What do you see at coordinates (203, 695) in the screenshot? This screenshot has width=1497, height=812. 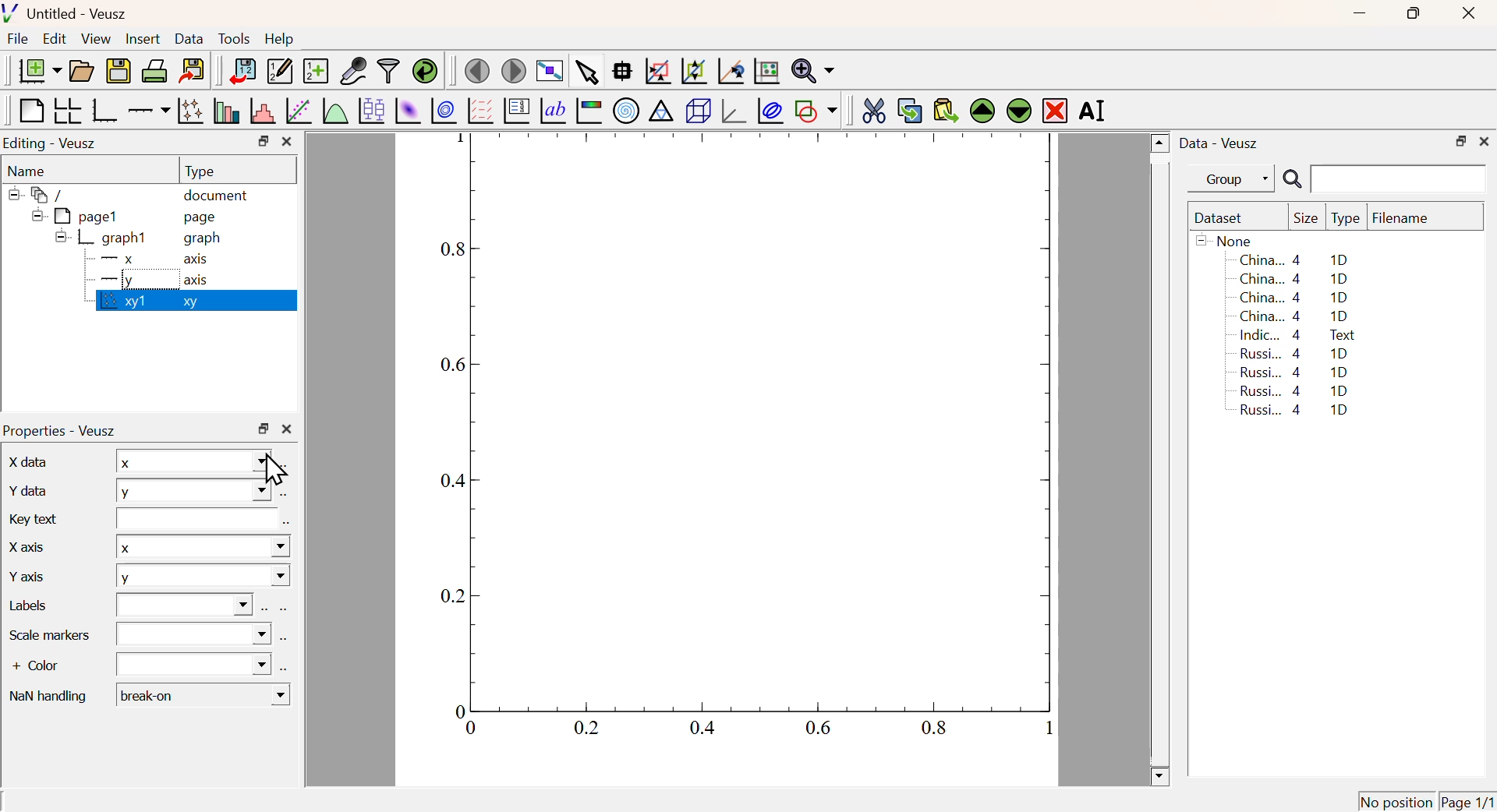 I see `Break-on` at bounding box center [203, 695].